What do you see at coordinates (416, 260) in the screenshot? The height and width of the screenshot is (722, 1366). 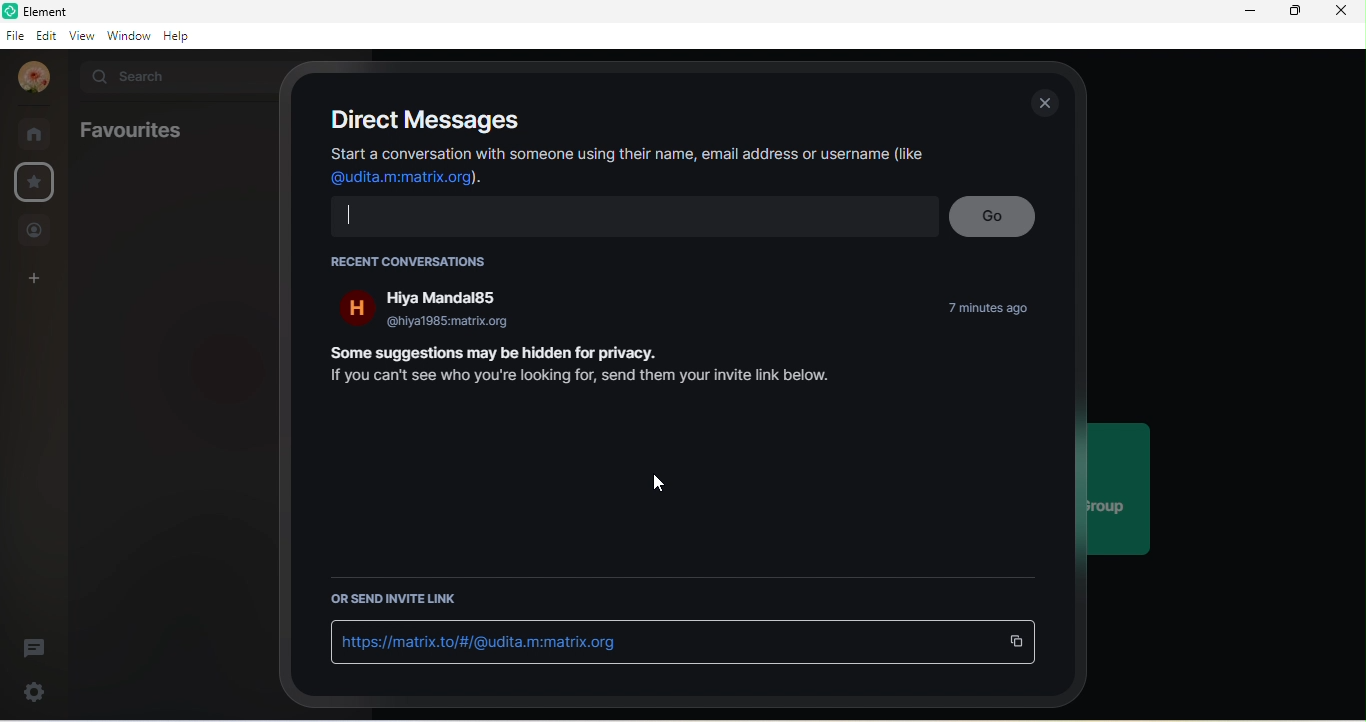 I see `recent conversations` at bounding box center [416, 260].